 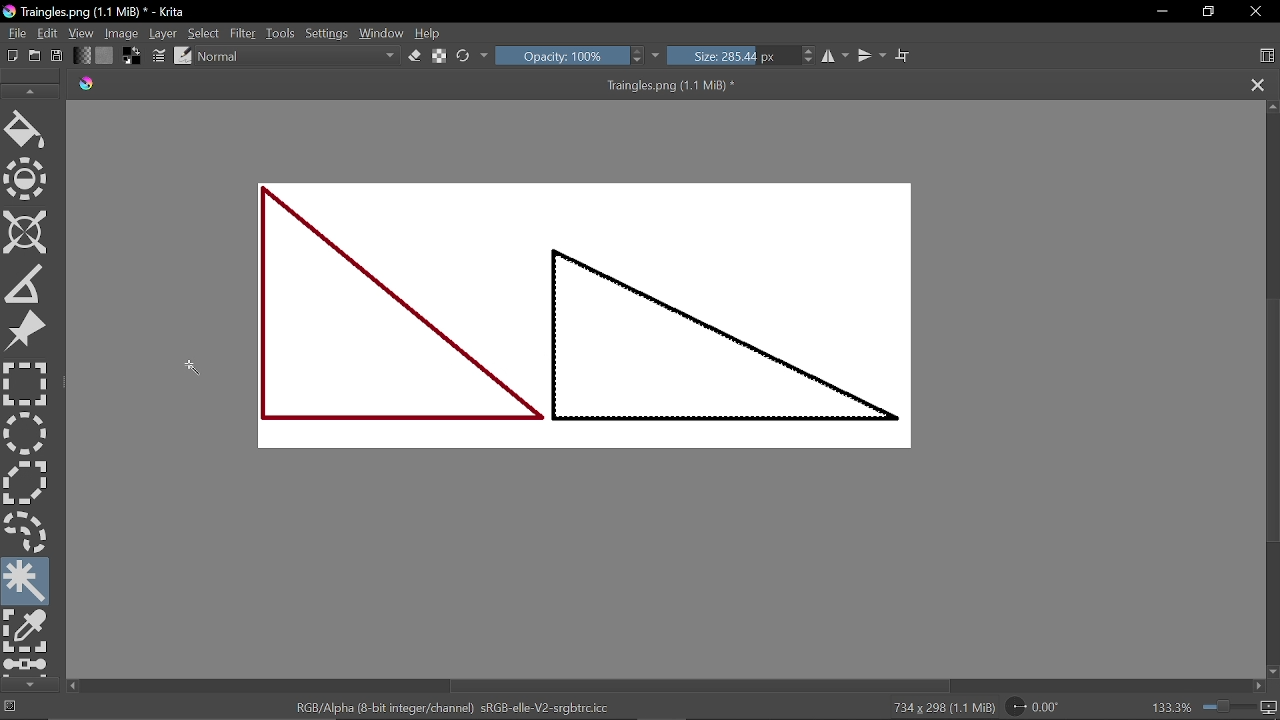 What do you see at coordinates (282, 33) in the screenshot?
I see `Tools` at bounding box center [282, 33].